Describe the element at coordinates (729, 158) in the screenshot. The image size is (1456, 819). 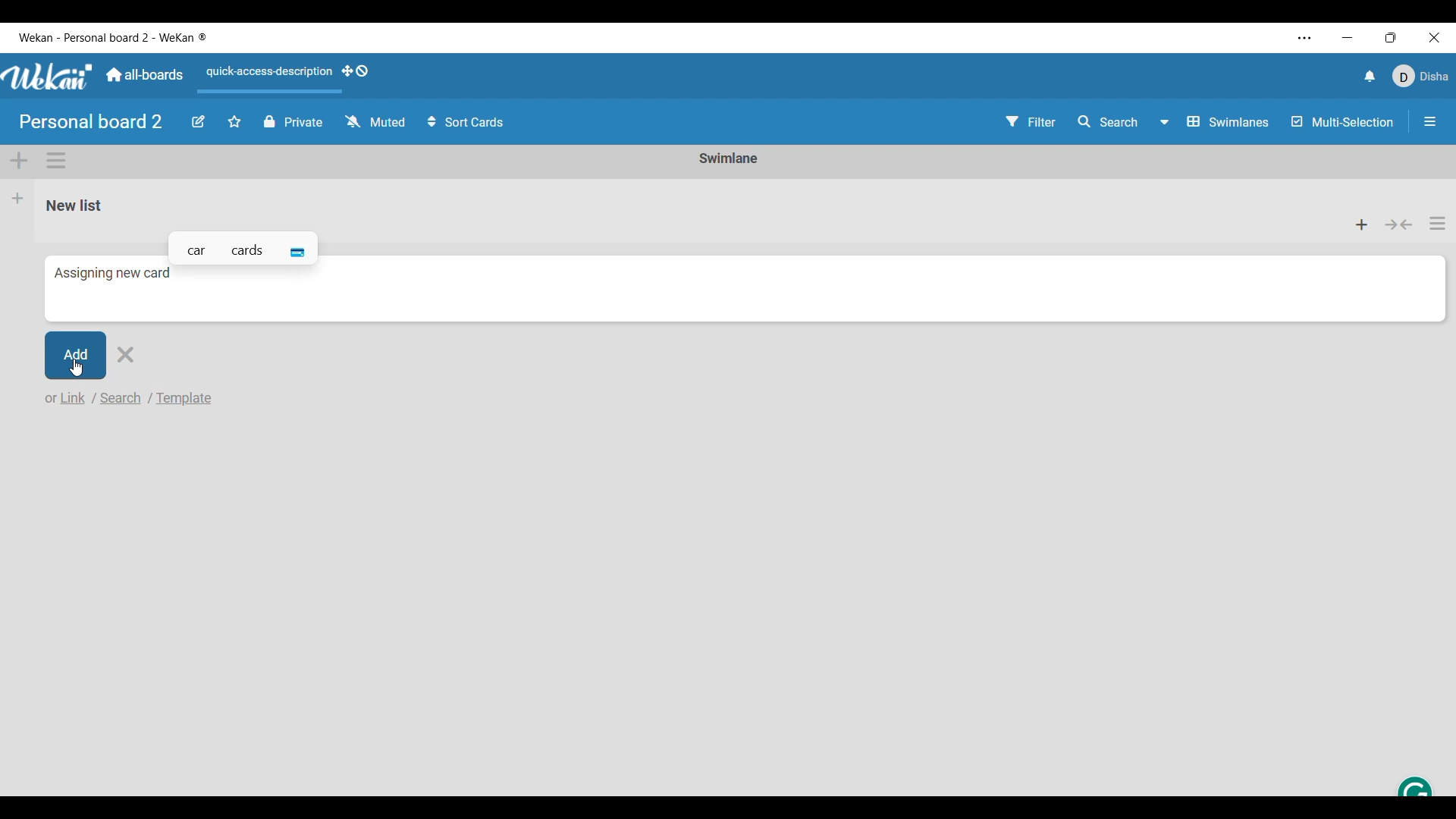
I see `Current Swimlane` at that location.